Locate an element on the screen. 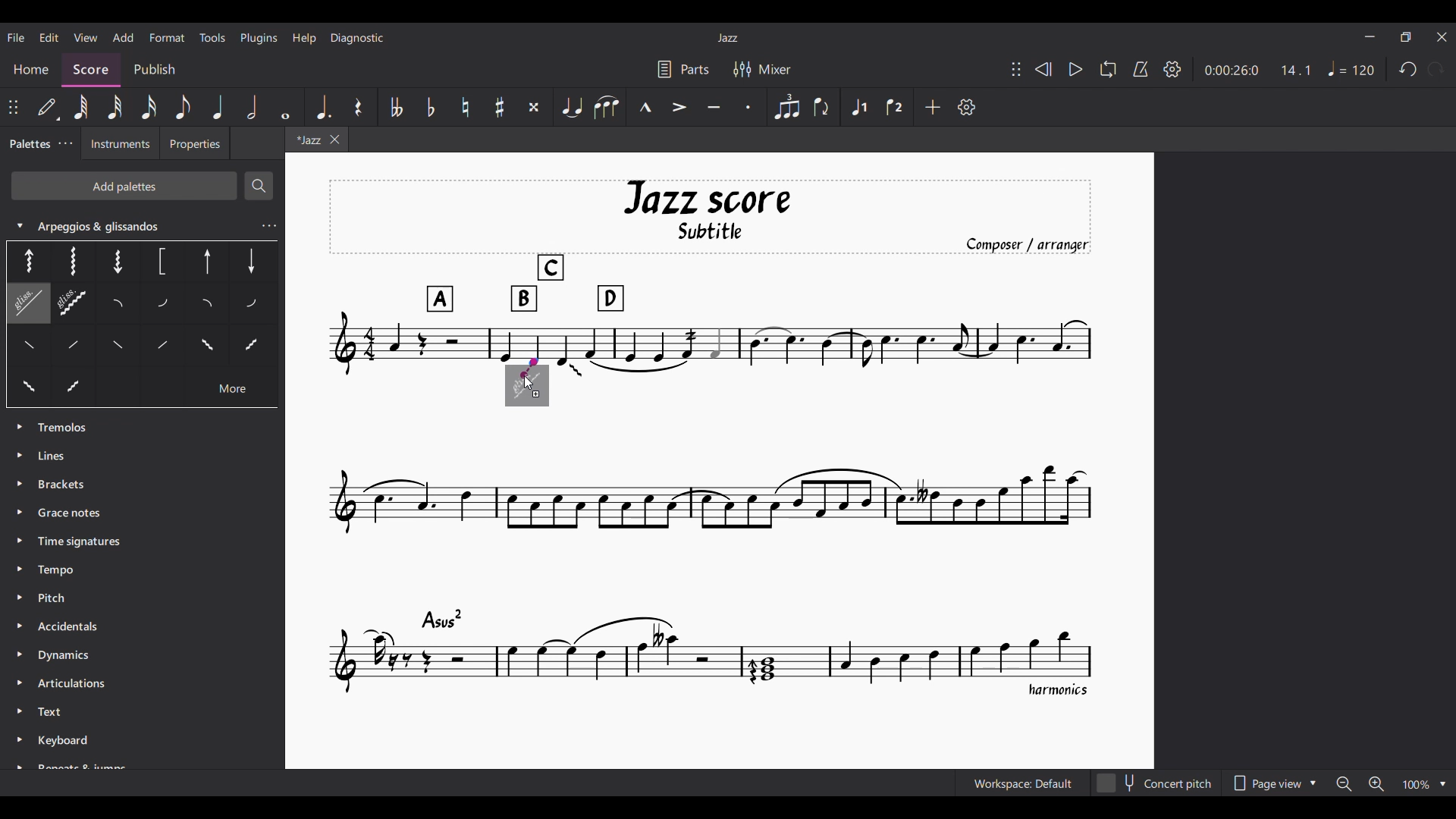 This screenshot has width=1456, height=819. Edit menu is located at coordinates (49, 38).